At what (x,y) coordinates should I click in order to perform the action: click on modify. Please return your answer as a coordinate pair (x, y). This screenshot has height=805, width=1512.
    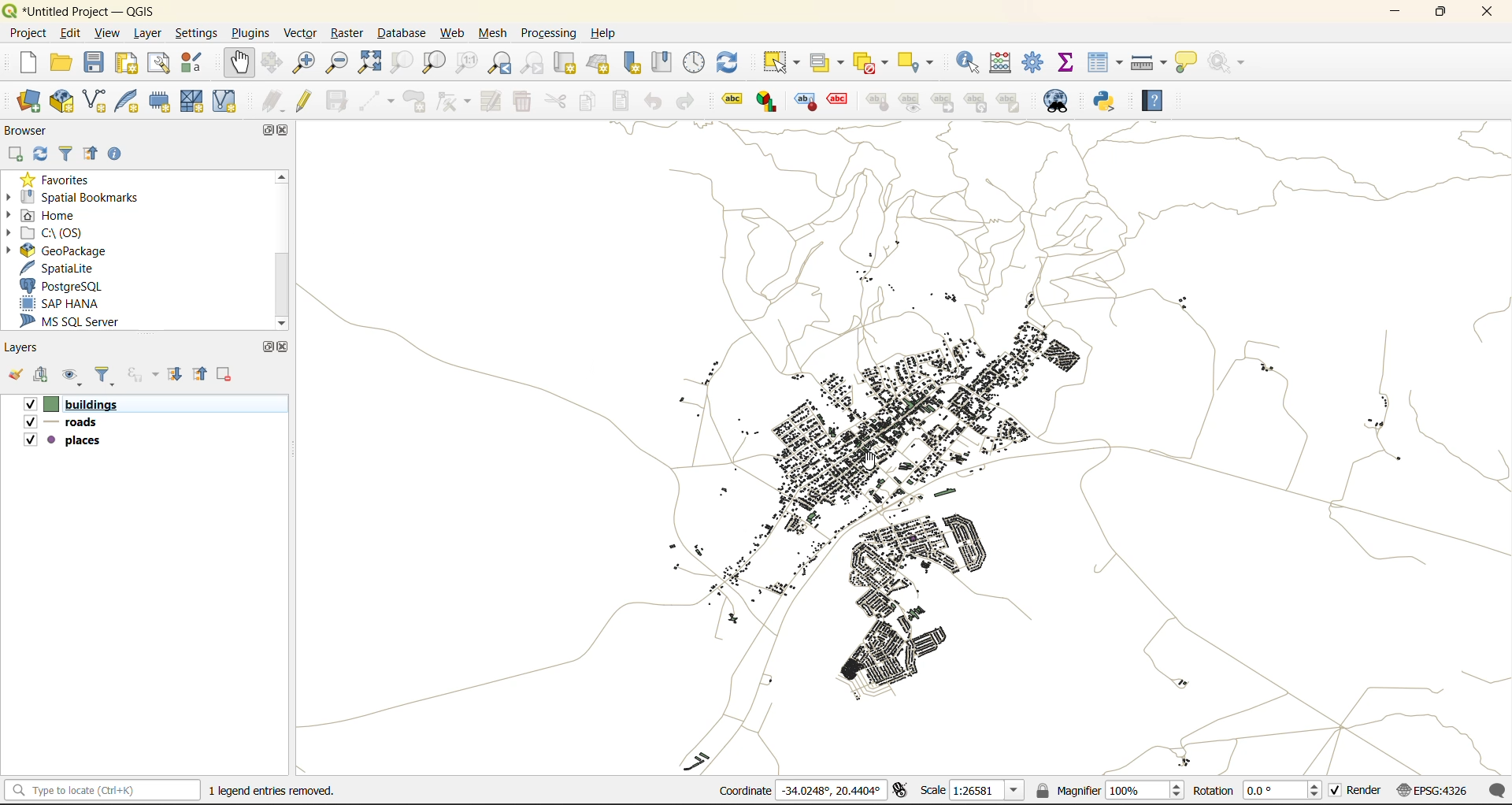
    Looking at the image, I should click on (490, 102).